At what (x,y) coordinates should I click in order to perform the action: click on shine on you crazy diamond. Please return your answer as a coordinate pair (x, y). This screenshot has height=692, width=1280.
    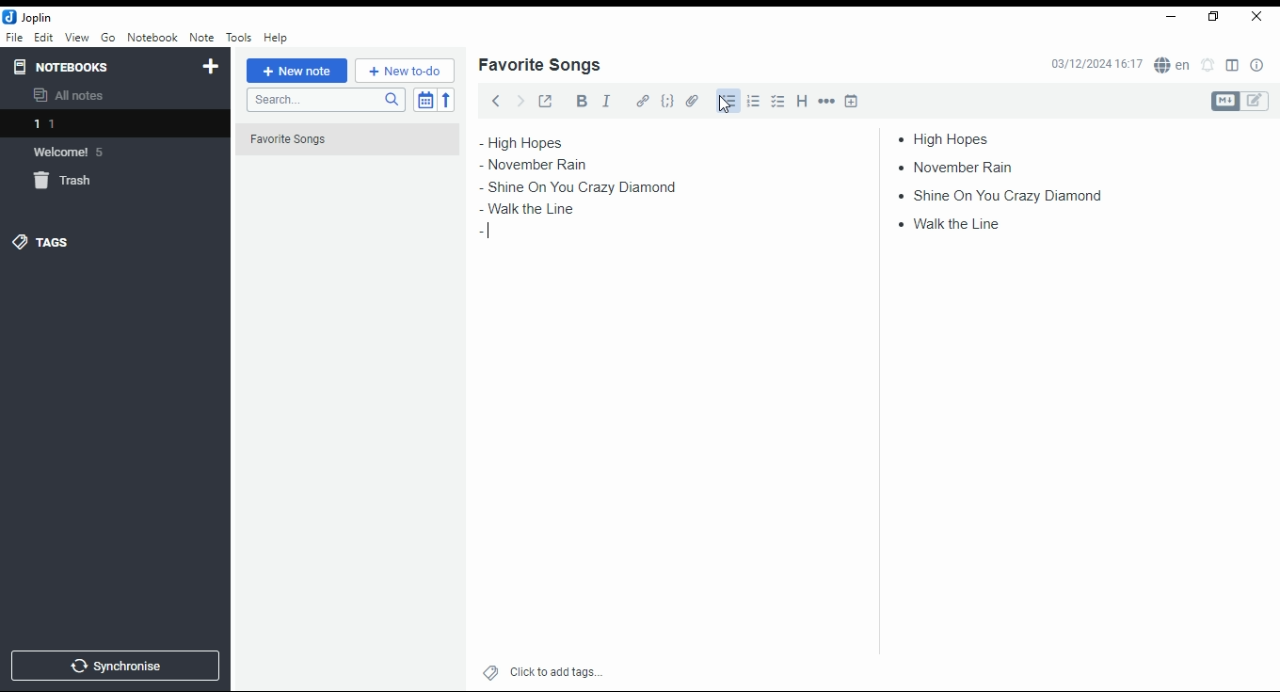
    Looking at the image, I should click on (584, 187).